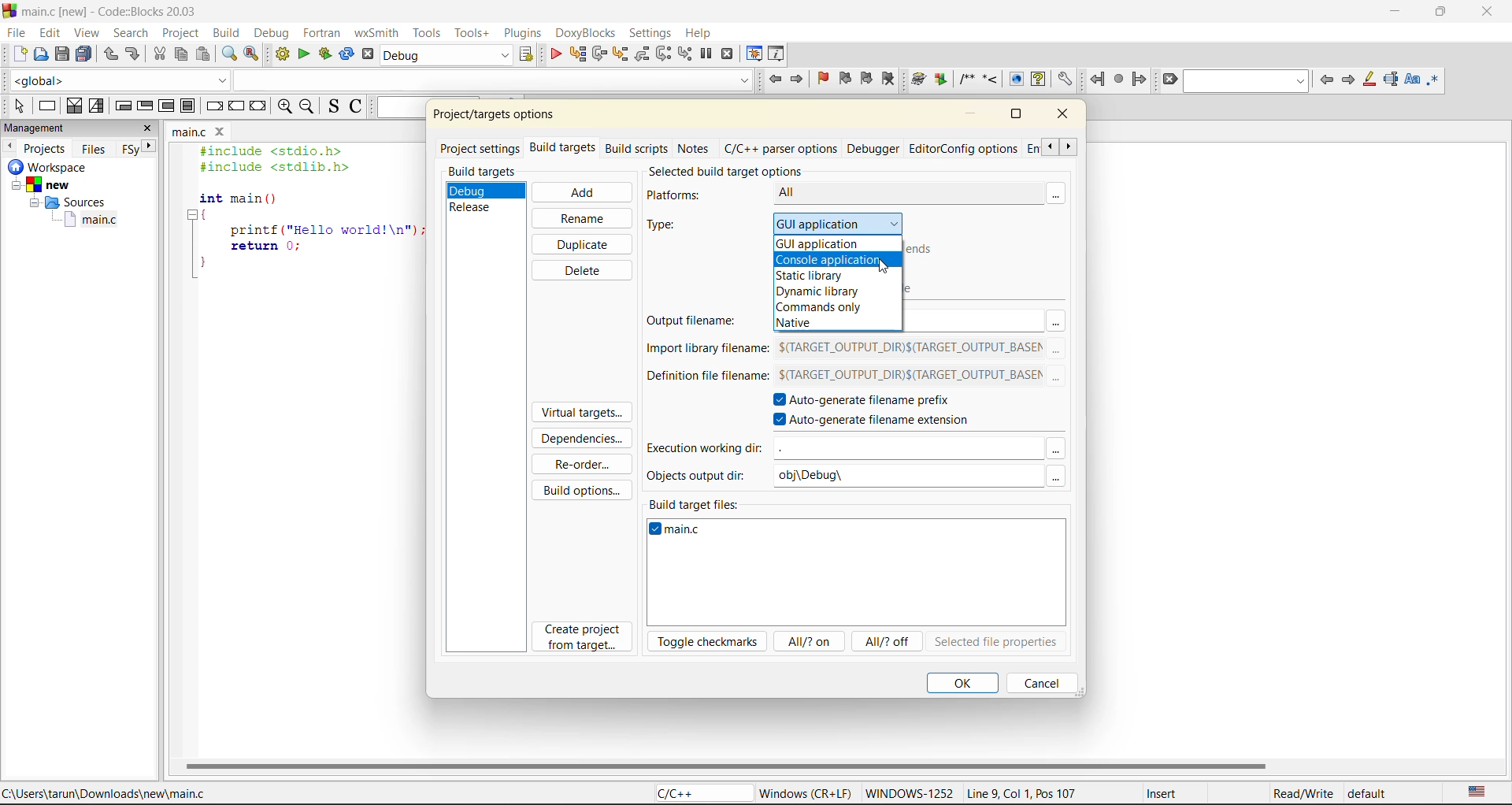 Image resolution: width=1512 pixels, height=805 pixels. What do you see at coordinates (908, 795) in the screenshot?
I see `WINDOWS-1252` at bounding box center [908, 795].